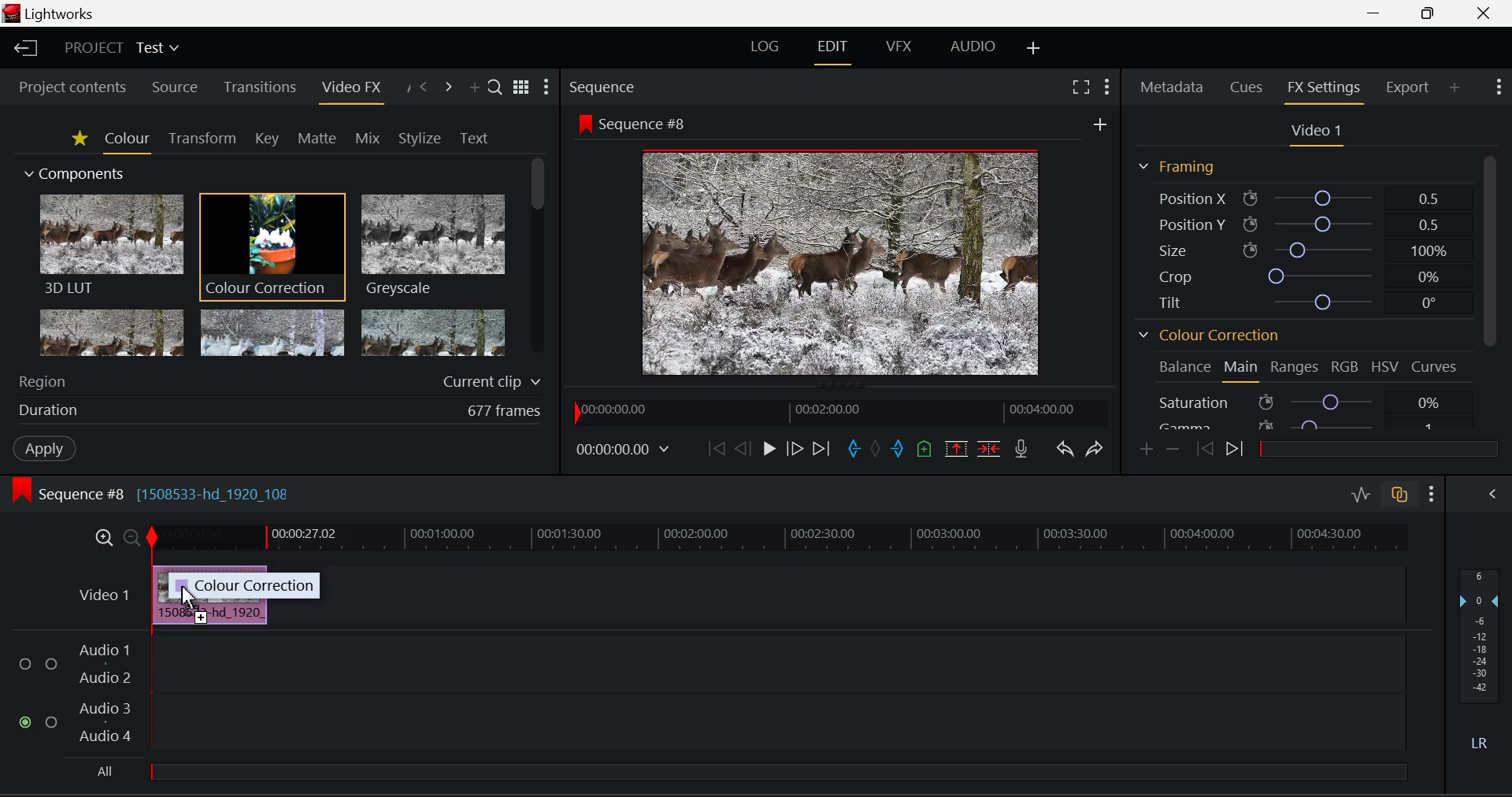 The height and width of the screenshot is (797, 1512). Describe the element at coordinates (1034, 46) in the screenshot. I see `Add Layout` at that location.